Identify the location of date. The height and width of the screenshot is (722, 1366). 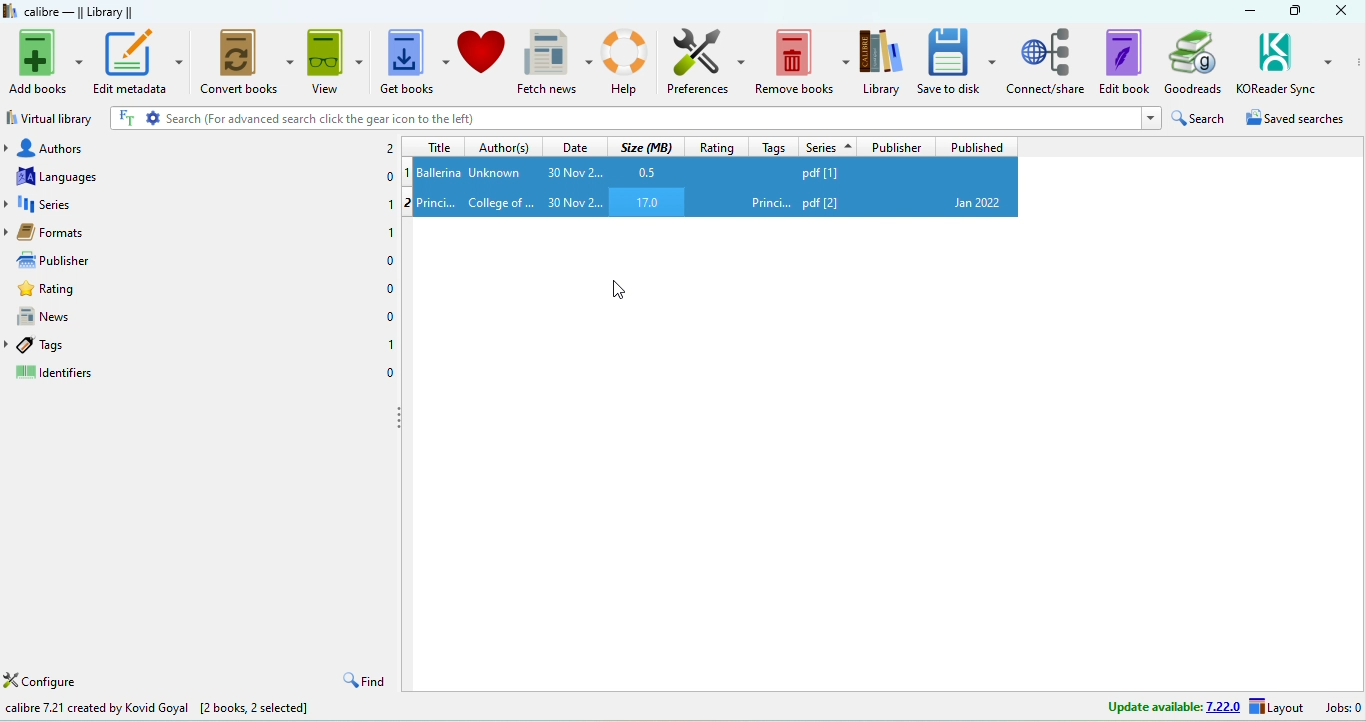
(576, 147).